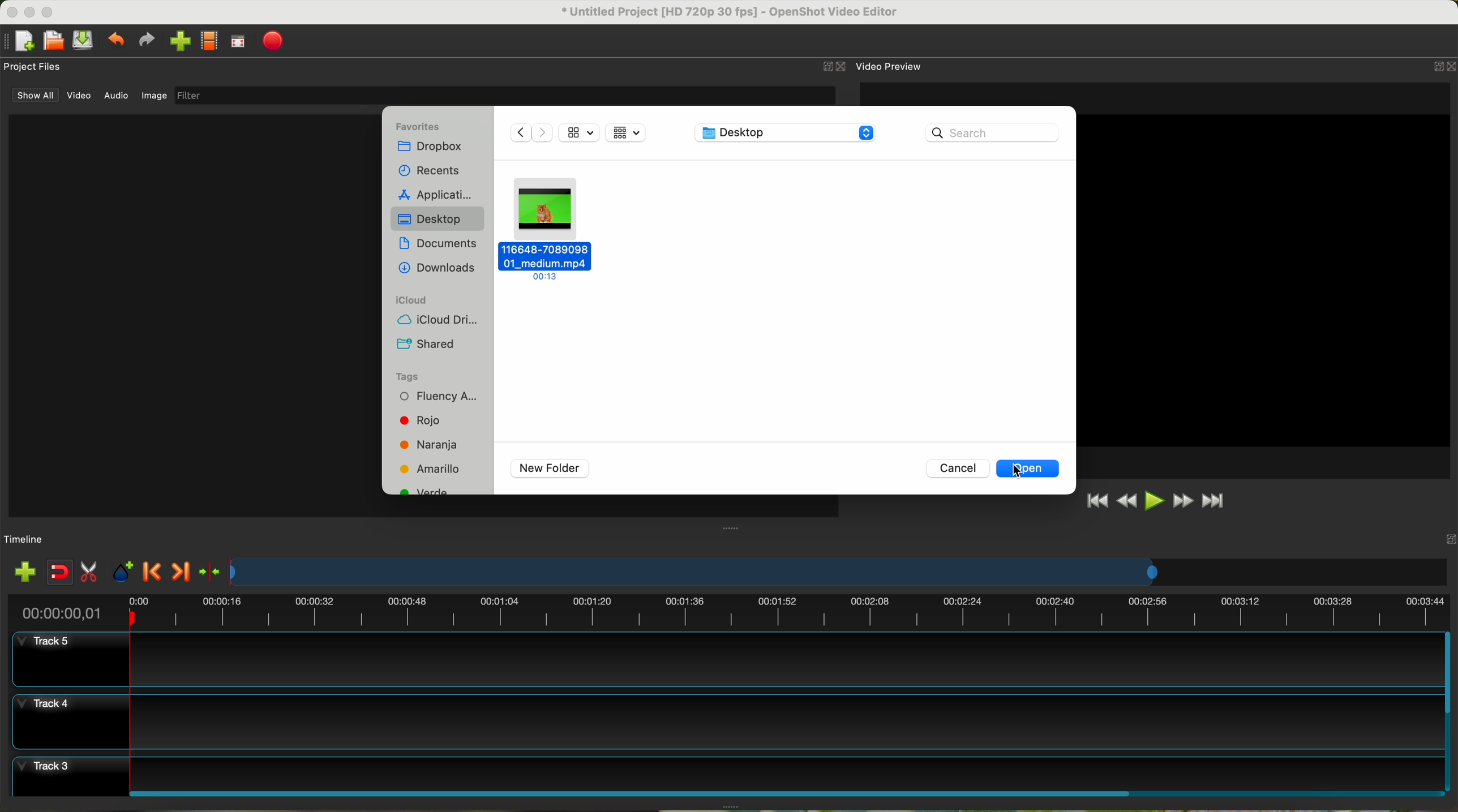 The image size is (1458, 812). What do you see at coordinates (273, 42) in the screenshot?
I see `export video` at bounding box center [273, 42].